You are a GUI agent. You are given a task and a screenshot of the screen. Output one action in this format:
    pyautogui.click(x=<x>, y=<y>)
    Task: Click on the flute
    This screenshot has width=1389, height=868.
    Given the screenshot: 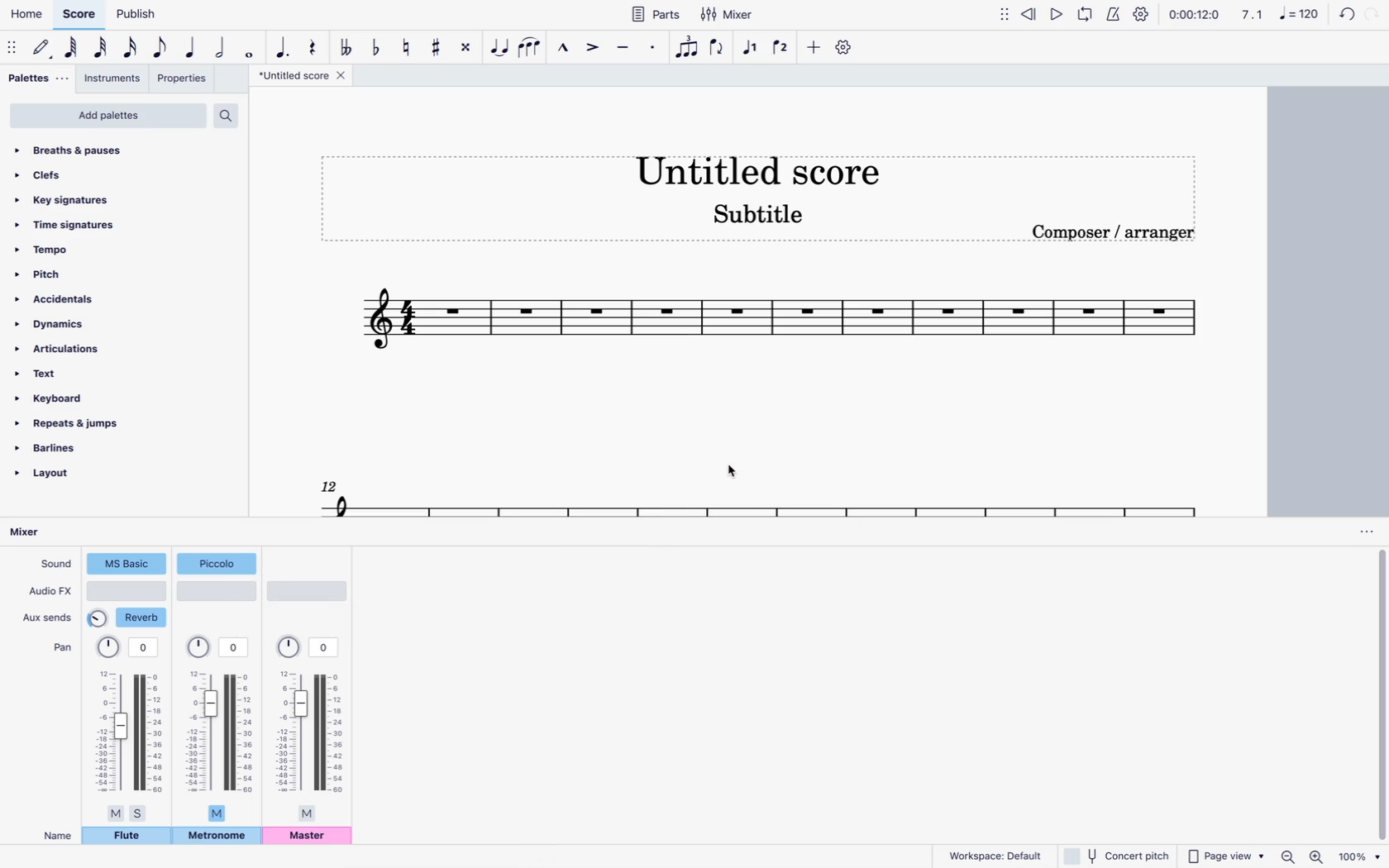 What is the action you would take?
    pyautogui.click(x=127, y=838)
    